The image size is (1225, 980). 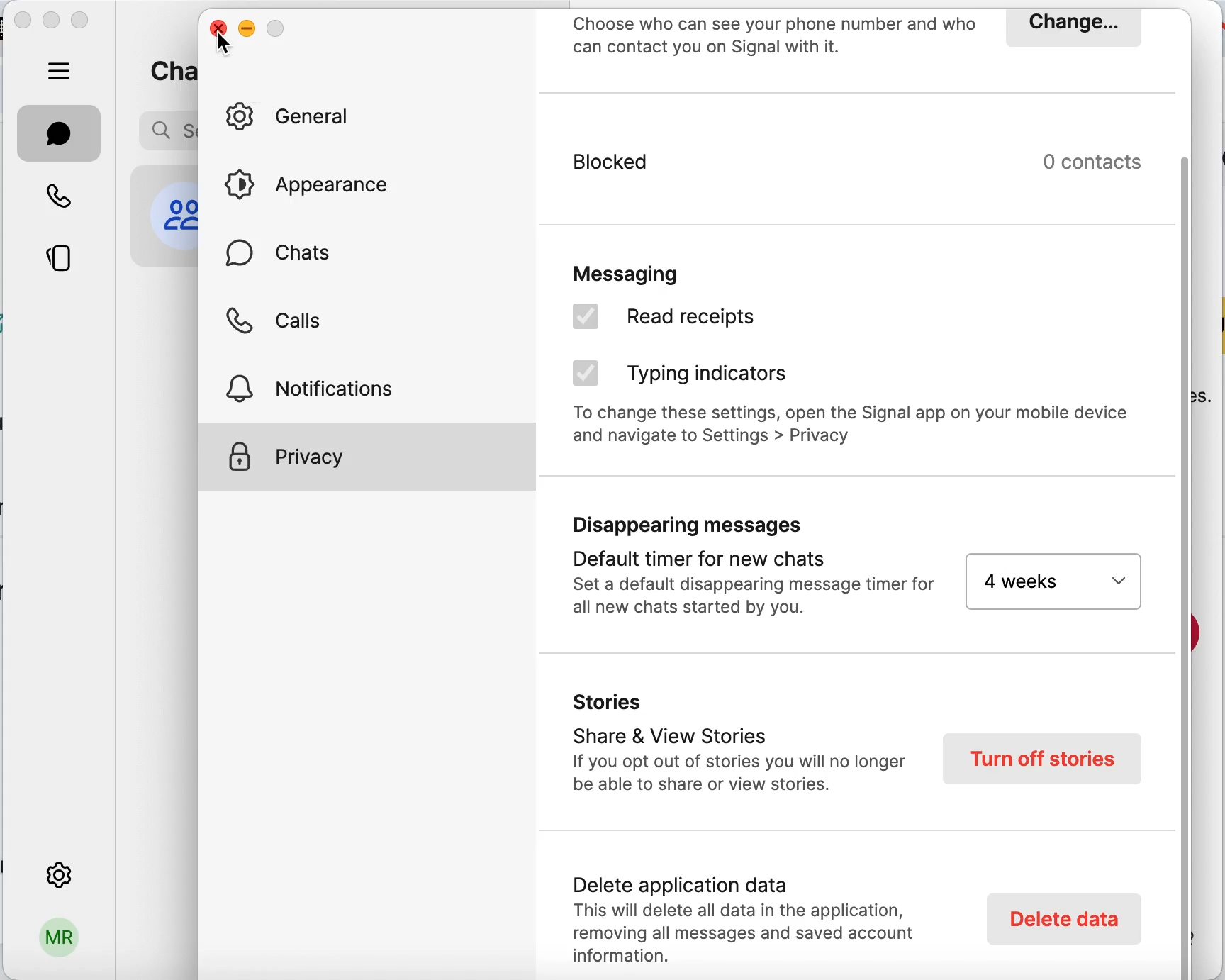 What do you see at coordinates (57, 872) in the screenshot?
I see `settings` at bounding box center [57, 872].